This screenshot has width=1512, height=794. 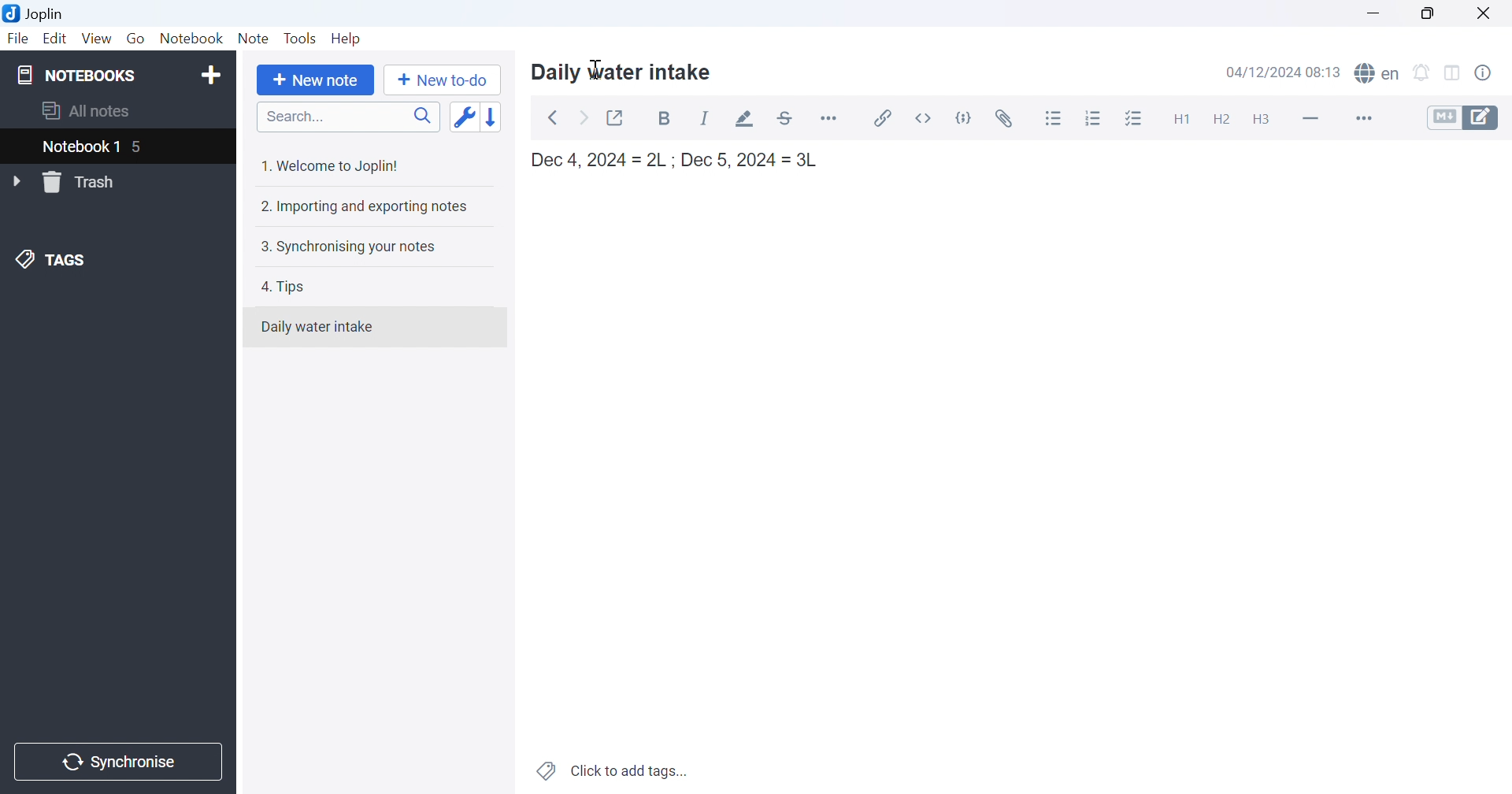 What do you see at coordinates (584, 117) in the screenshot?
I see `Forward` at bounding box center [584, 117].